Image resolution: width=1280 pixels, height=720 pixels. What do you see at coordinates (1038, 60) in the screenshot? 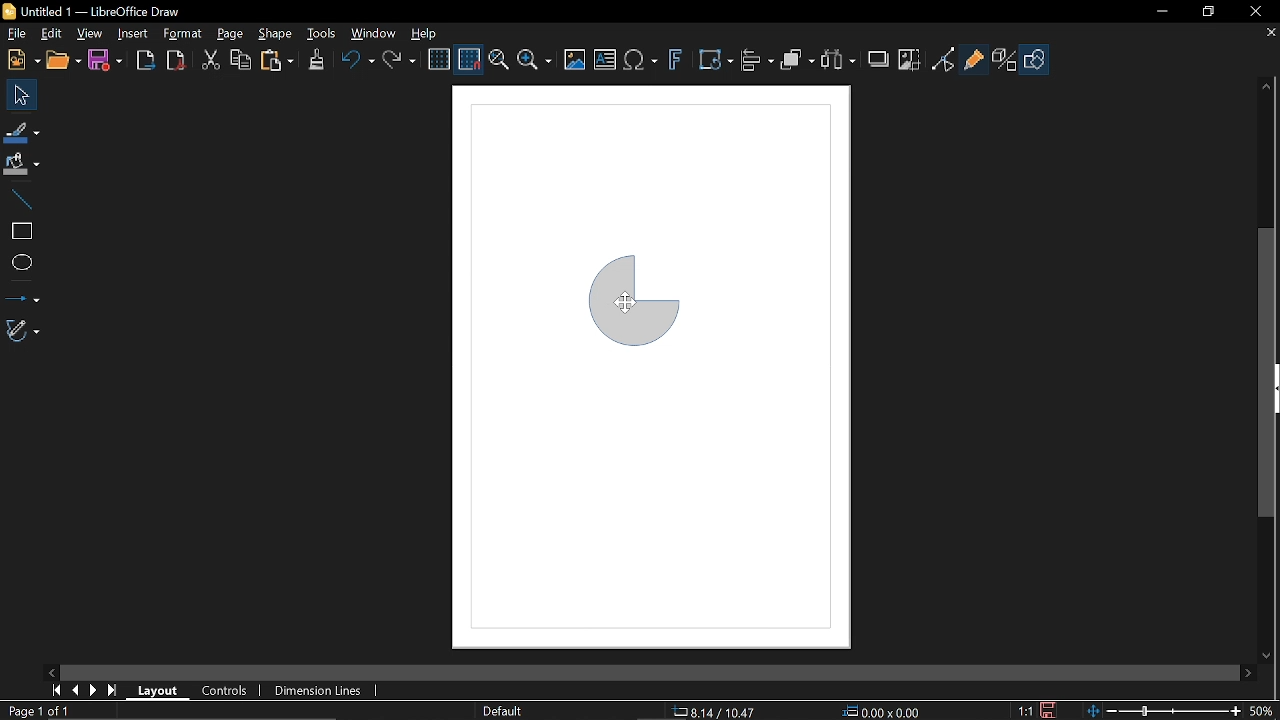
I see `Shape` at bounding box center [1038, 60].